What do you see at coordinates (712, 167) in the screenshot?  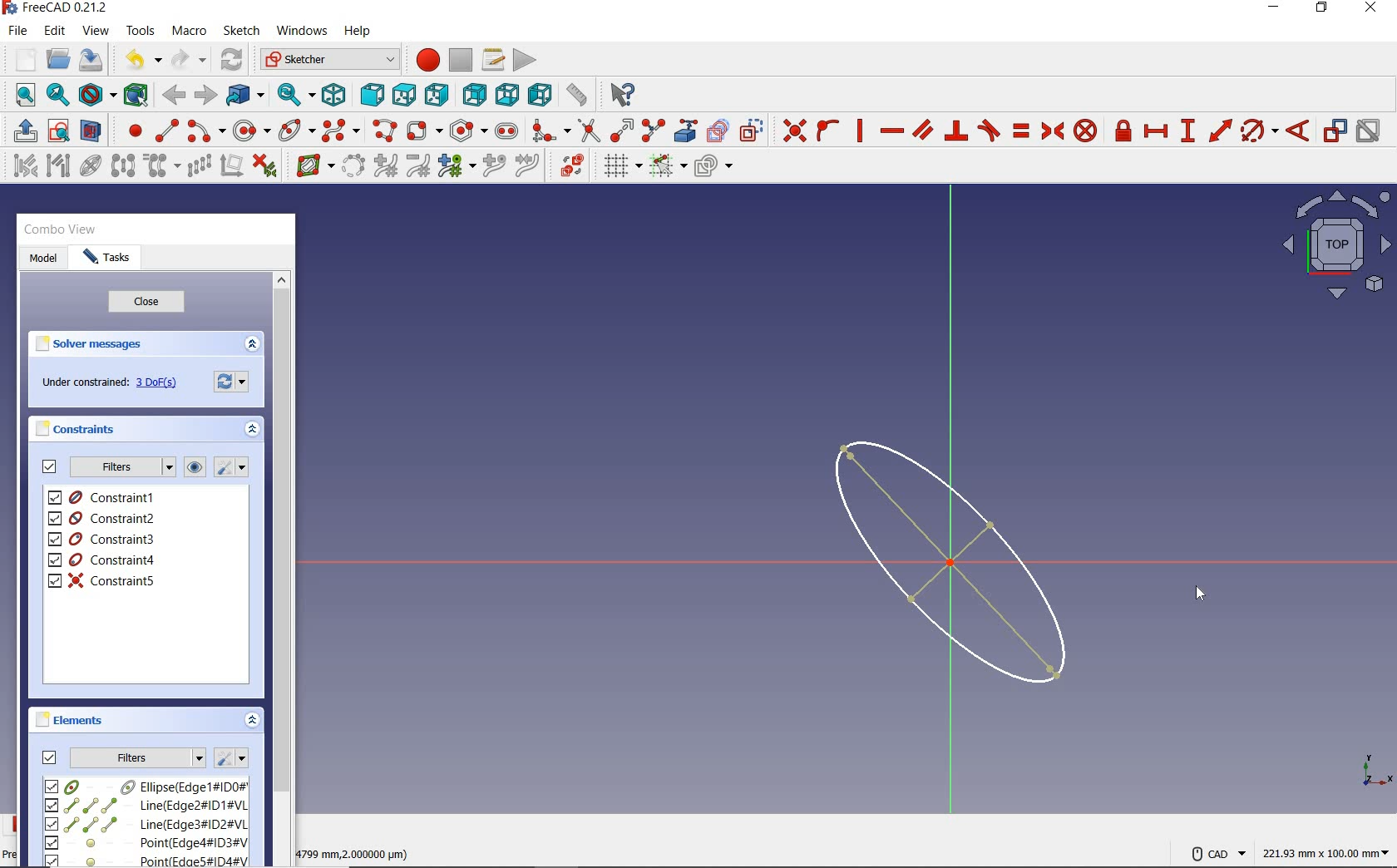 I see `configure rendering order` at bounding box center [712, 167].